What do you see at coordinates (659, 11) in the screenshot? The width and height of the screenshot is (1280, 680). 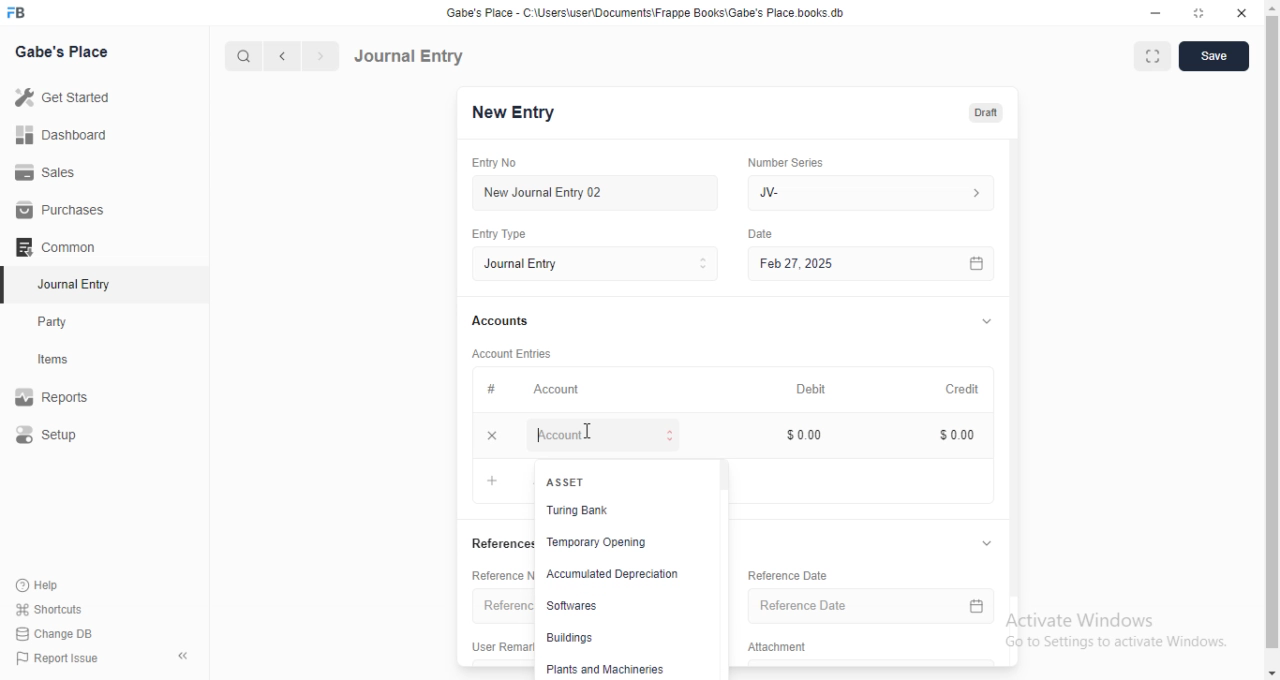 I see `‘Gabe's Place - C Wsers\userDocuments\Frappe Books\Gabe's Place books db` at bounding box center [659, 11].